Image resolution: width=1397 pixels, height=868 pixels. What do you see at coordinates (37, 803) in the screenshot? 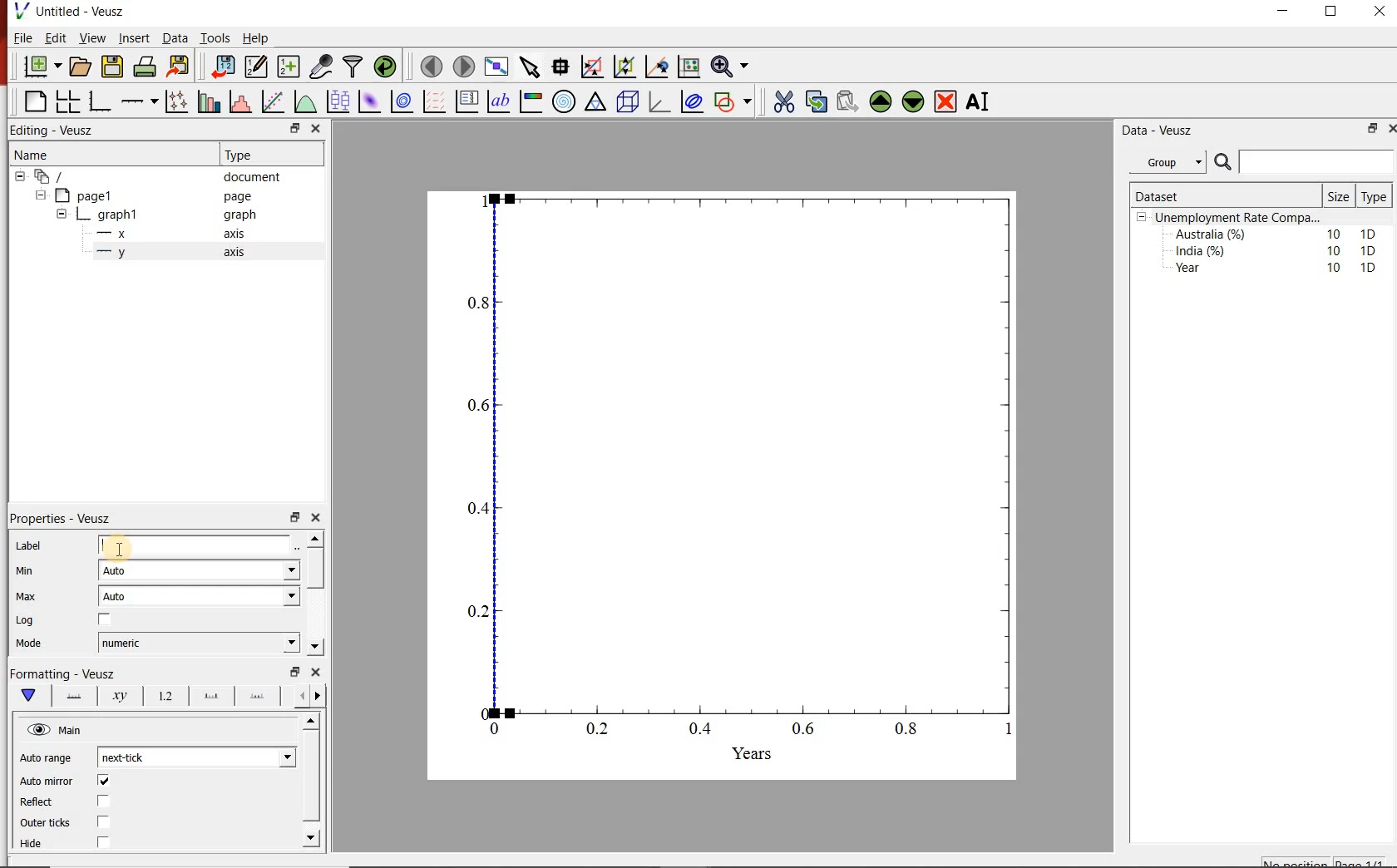
I see `Reflect` at bounding box center [37, 803].